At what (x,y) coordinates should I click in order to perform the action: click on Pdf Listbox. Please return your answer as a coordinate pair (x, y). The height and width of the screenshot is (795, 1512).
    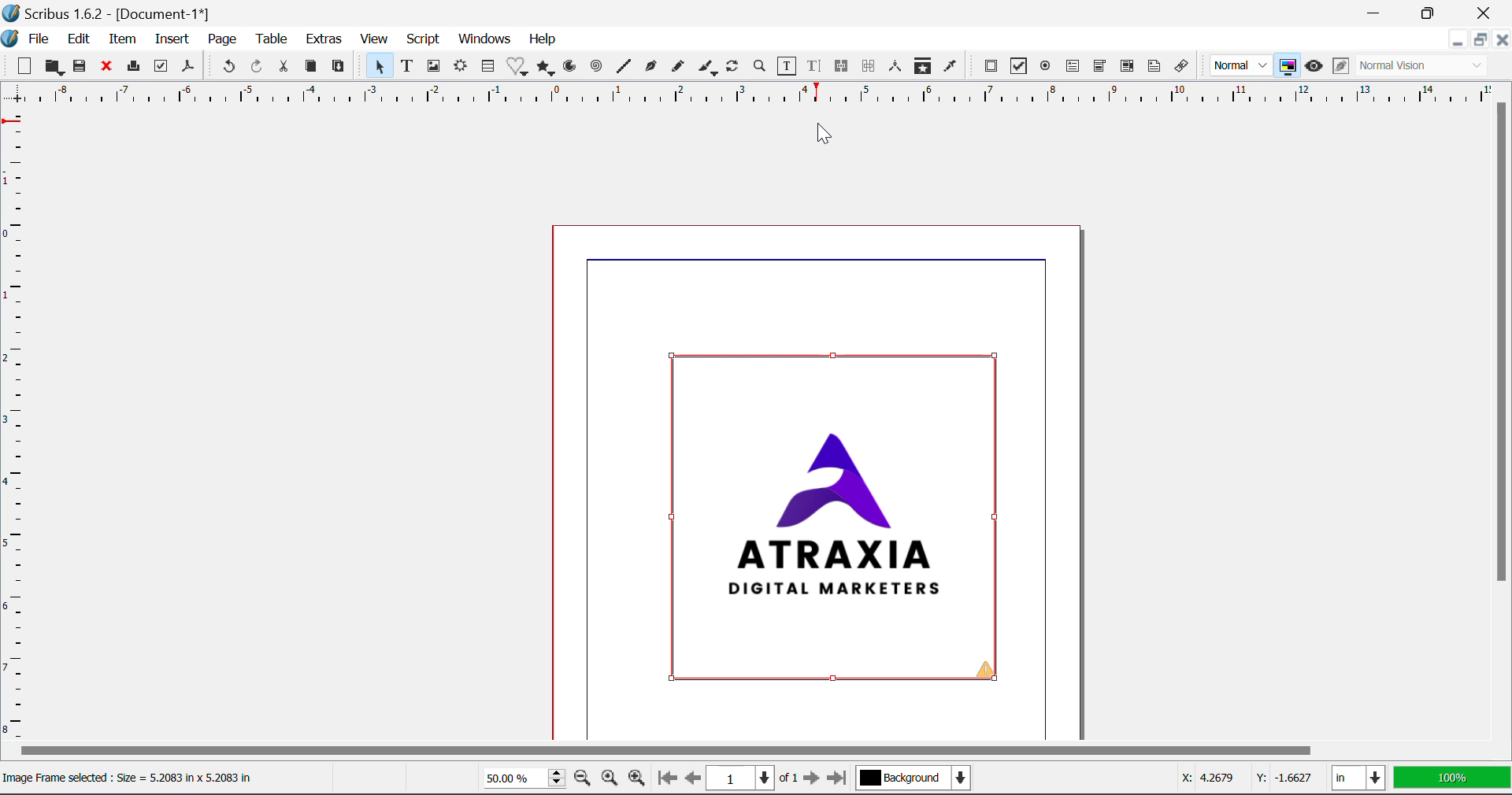
    Looking at the image, I should click on (1116, 70).